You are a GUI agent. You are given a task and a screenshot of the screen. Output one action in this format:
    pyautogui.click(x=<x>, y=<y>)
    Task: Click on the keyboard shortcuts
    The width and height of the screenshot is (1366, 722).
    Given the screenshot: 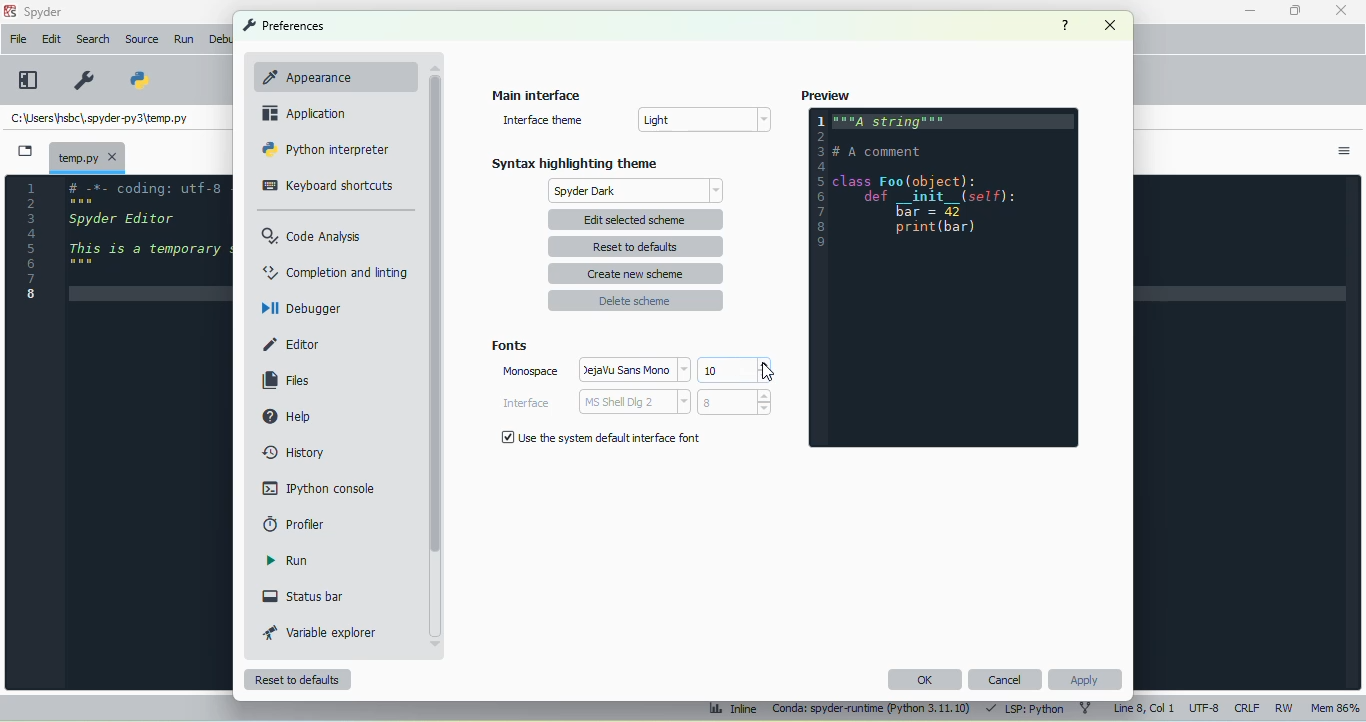 What is the action you would take?
    pyautogui.click(x=328, y=186)
    